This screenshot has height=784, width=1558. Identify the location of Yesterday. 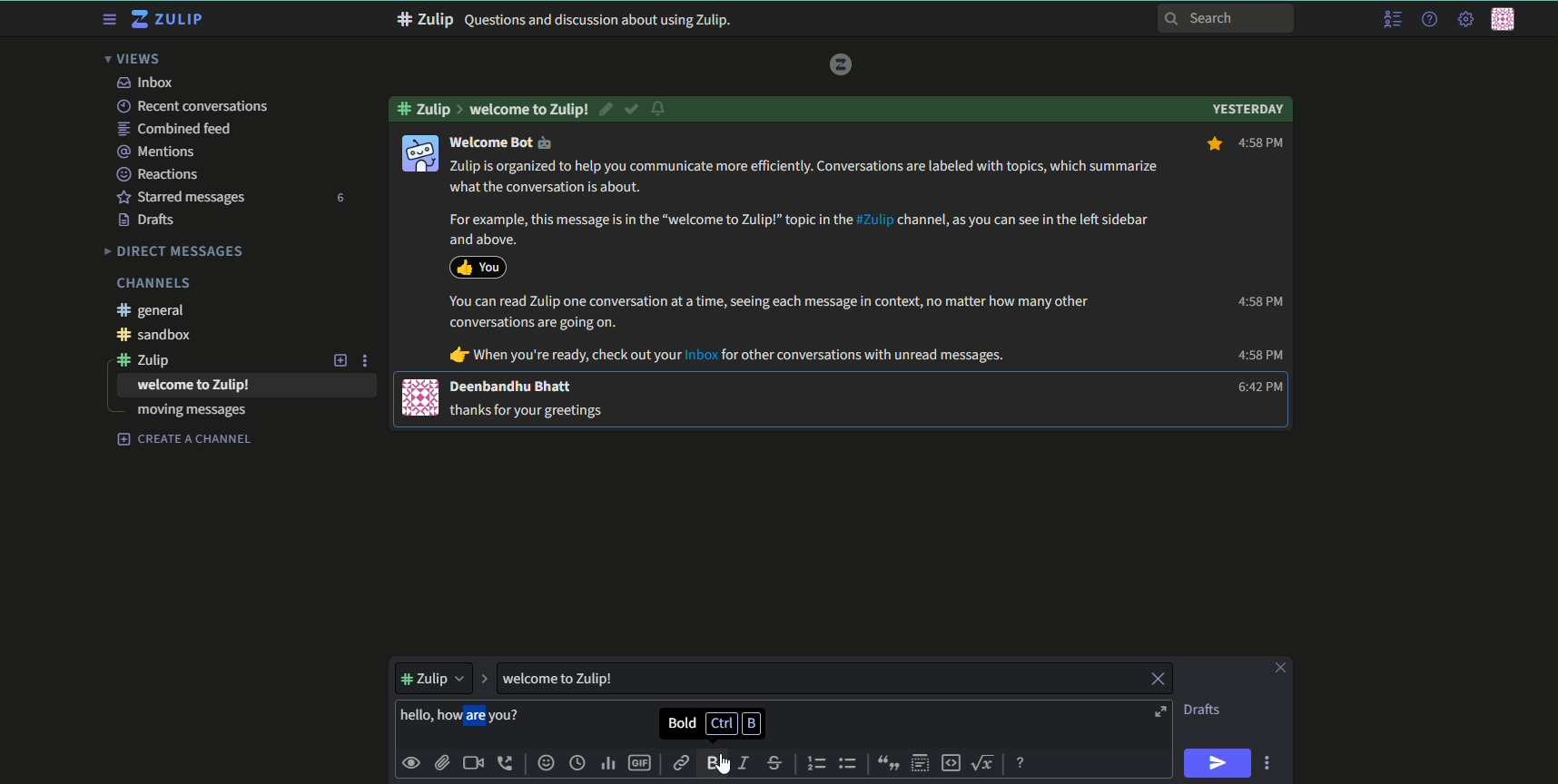
(1247, 107).